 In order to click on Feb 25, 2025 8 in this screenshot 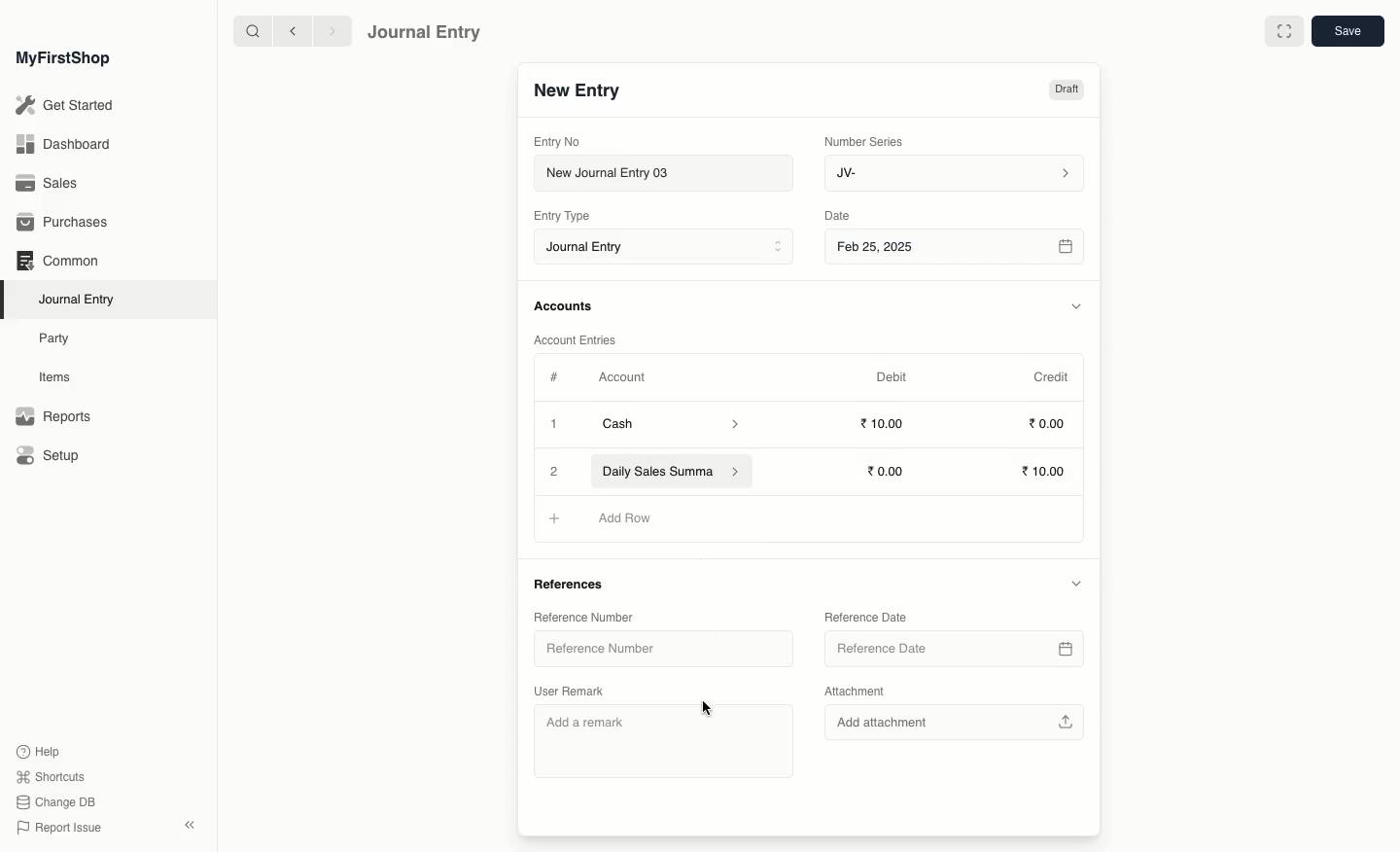, I will do `click(956, 246)`.